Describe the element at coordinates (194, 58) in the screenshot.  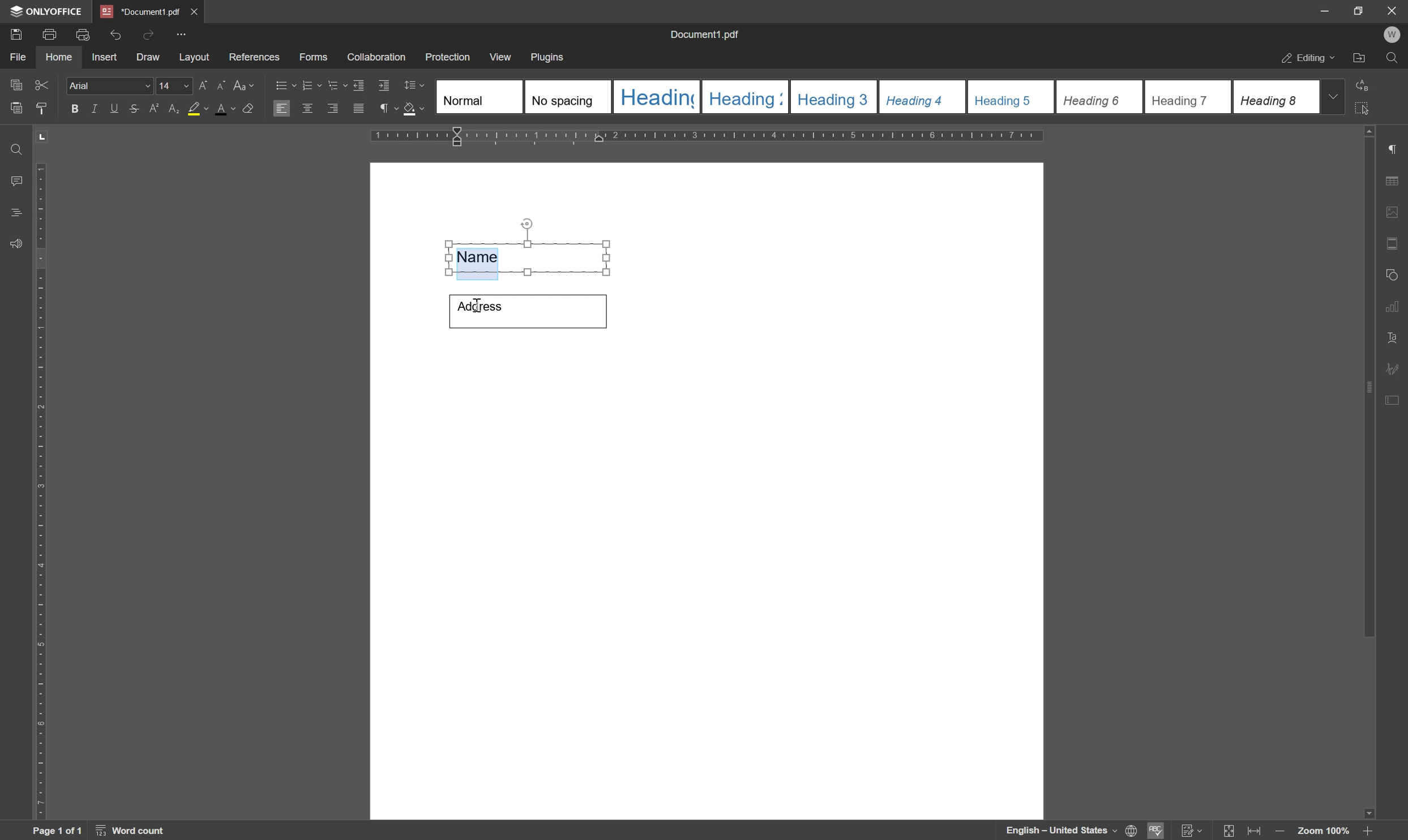
I see `layout` at that location.